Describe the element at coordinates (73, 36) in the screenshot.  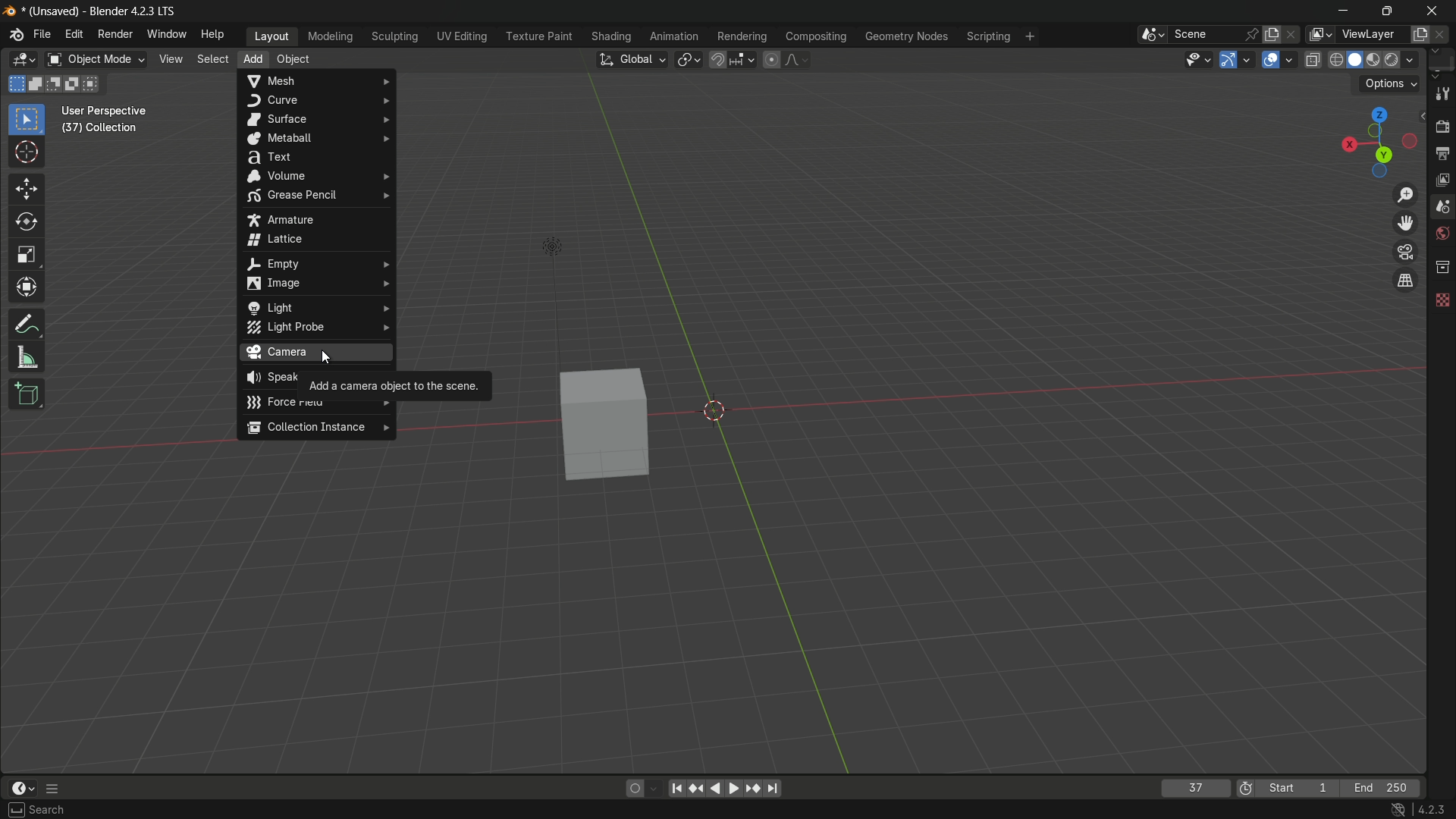
I see `edit menu` at that location.